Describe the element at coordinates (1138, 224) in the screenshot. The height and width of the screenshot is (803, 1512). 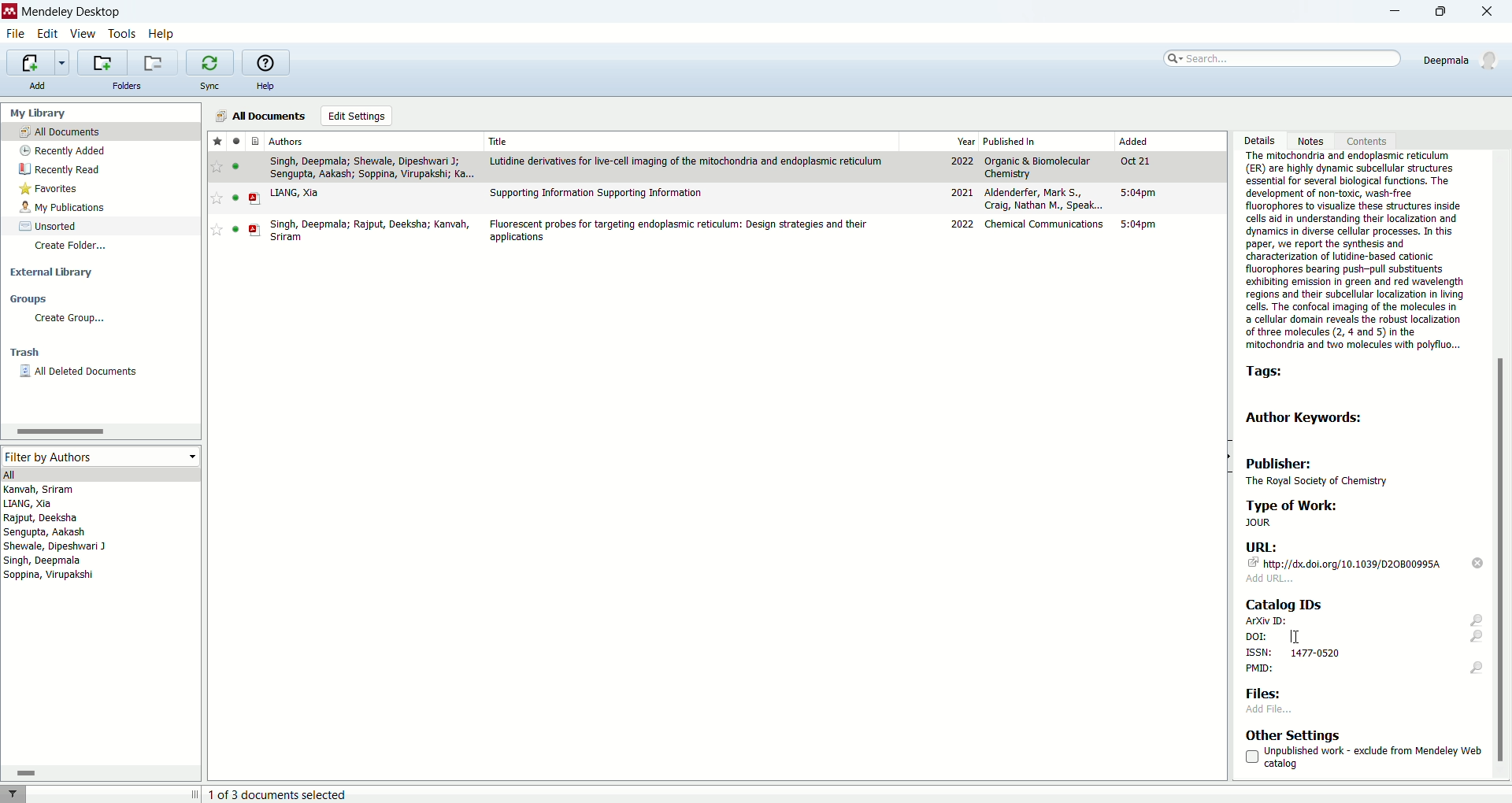
I see `5:04pm` at that location.